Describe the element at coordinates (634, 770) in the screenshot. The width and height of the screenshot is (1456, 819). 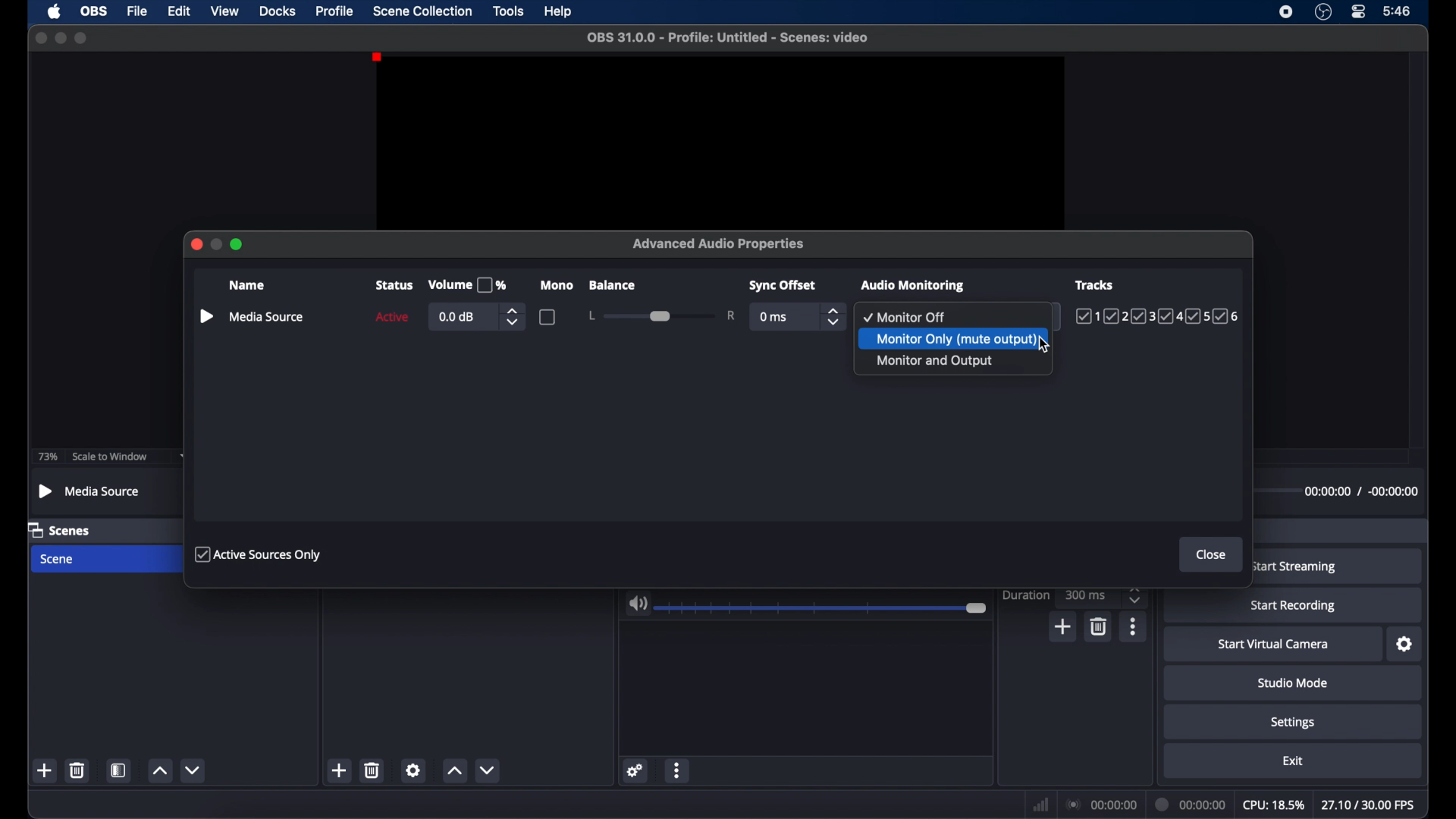
I see `settings` at that location.